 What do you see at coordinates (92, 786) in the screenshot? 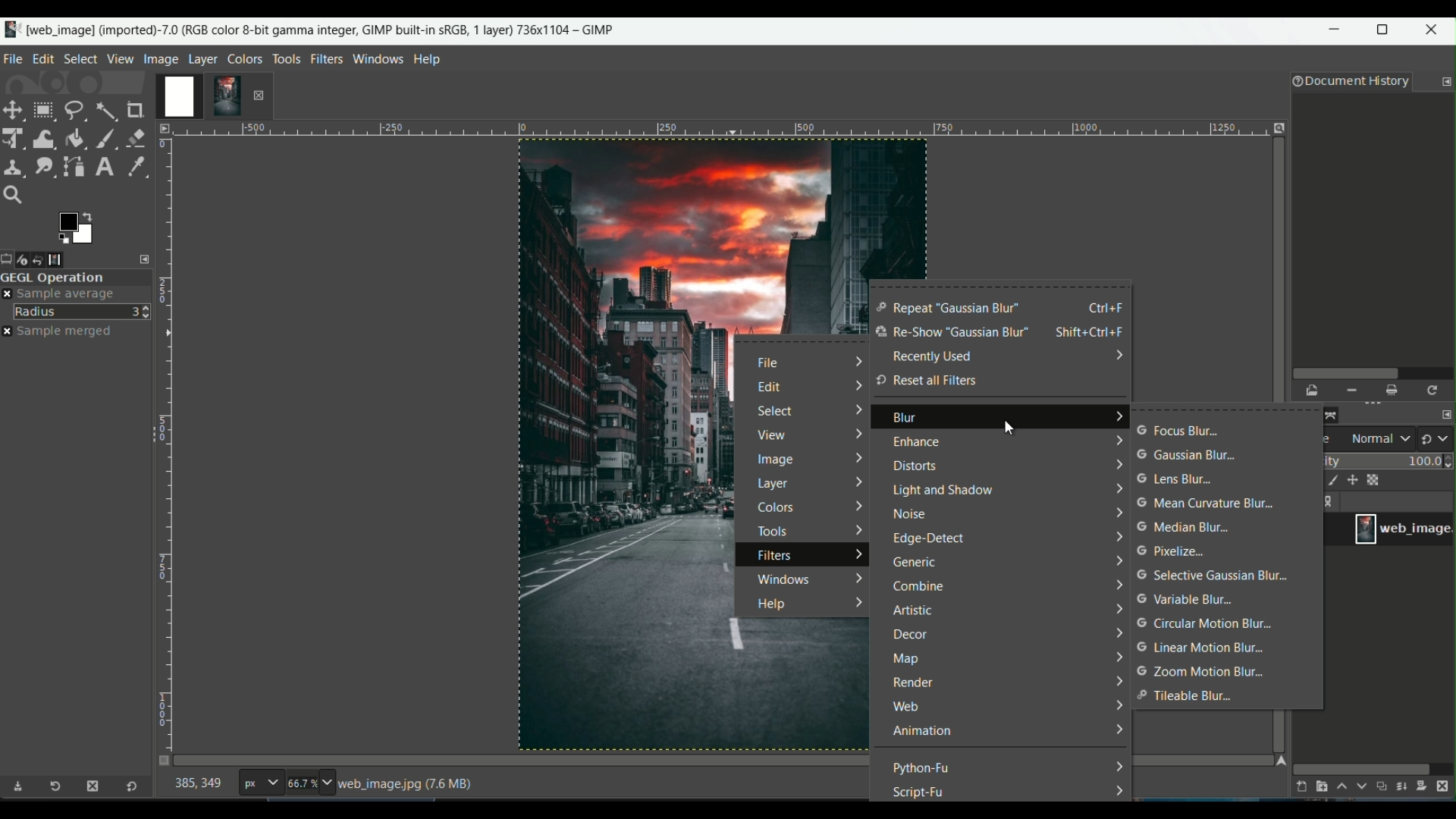
I see `delete tool preset` at bounding box center [92, 786].